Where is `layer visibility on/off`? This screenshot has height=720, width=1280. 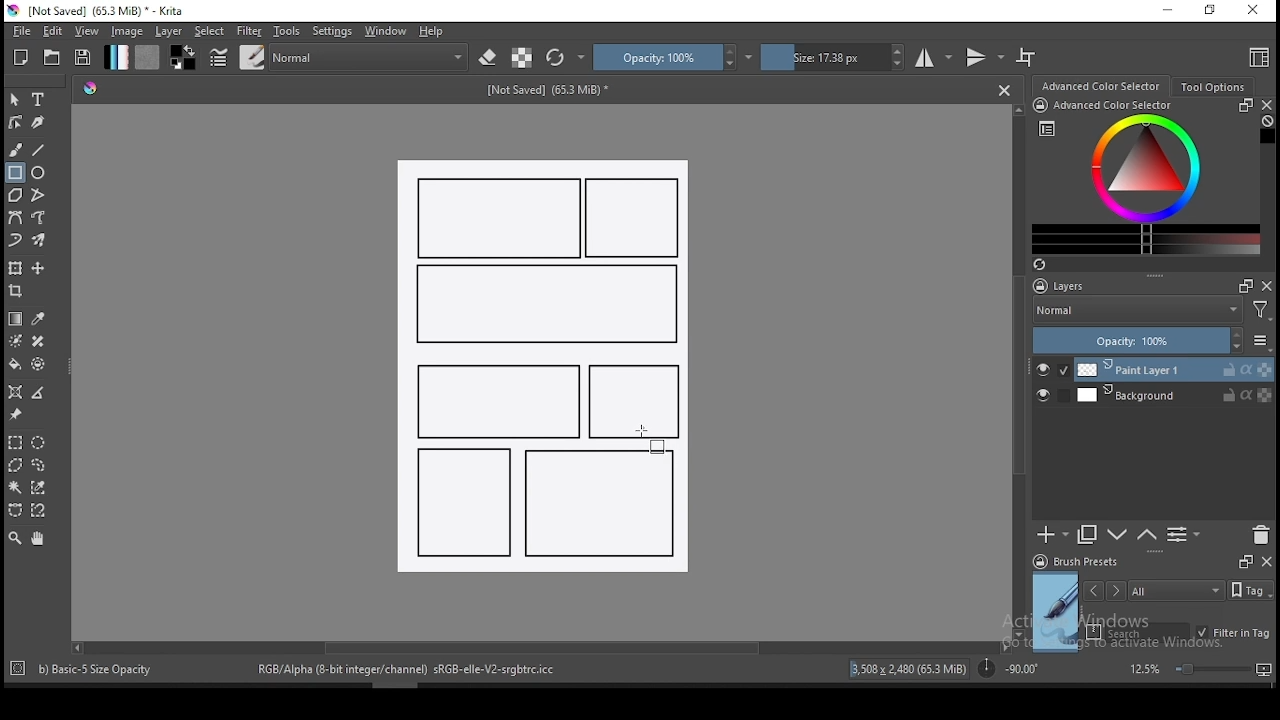 layer visibility on/off is located at coordinates (1053, 370).